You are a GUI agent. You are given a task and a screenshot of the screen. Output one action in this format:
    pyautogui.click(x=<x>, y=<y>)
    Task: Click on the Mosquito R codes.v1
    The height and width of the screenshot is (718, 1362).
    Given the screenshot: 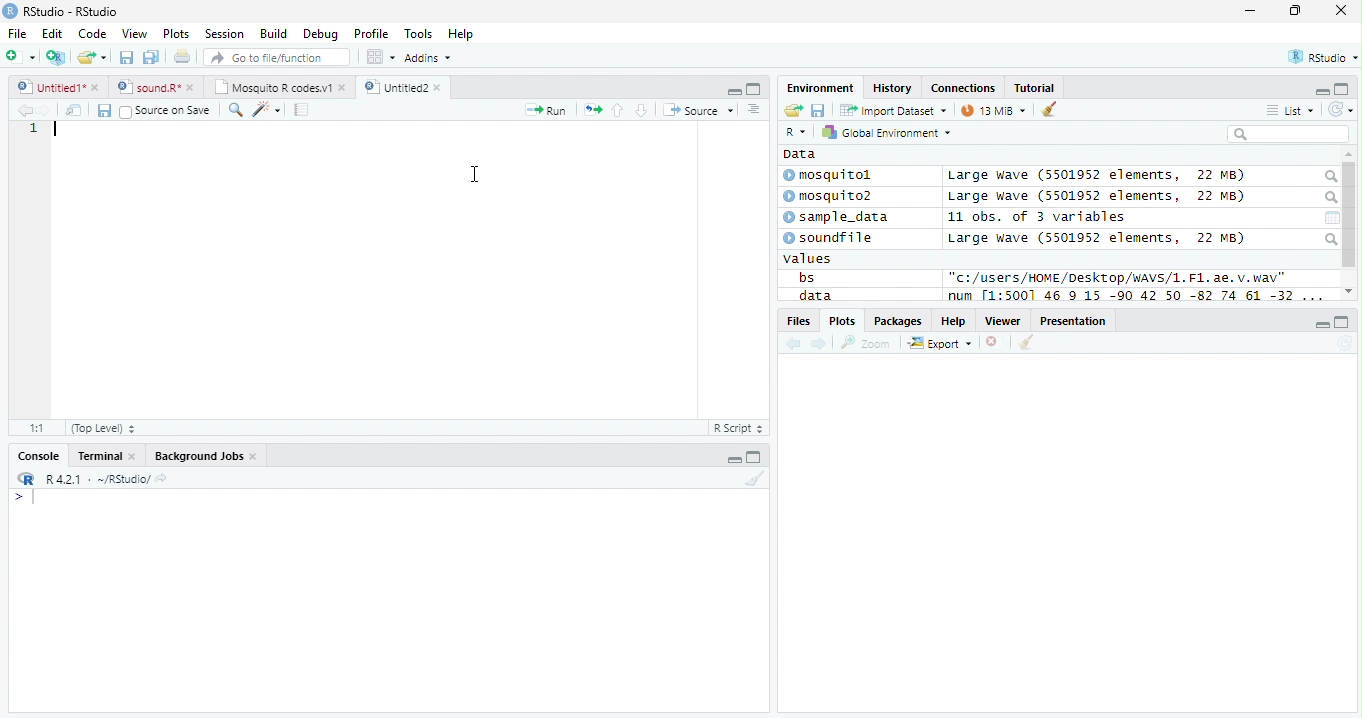 What is the action you would take?
    pyautogui.click(x=277, y=86)
    